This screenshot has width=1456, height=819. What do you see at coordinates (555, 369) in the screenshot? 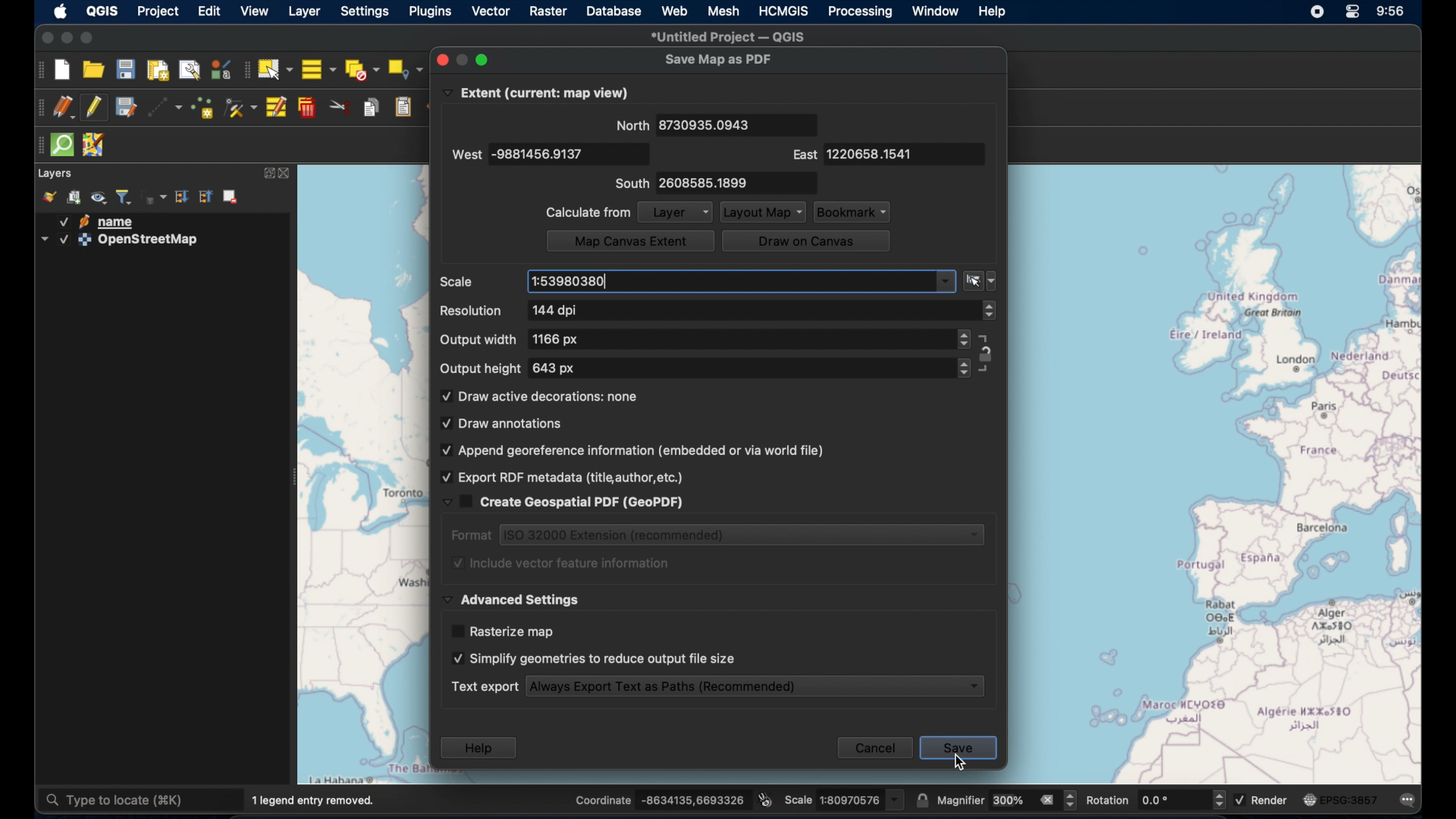
I see `643 px` at bounding box center [555, 369].